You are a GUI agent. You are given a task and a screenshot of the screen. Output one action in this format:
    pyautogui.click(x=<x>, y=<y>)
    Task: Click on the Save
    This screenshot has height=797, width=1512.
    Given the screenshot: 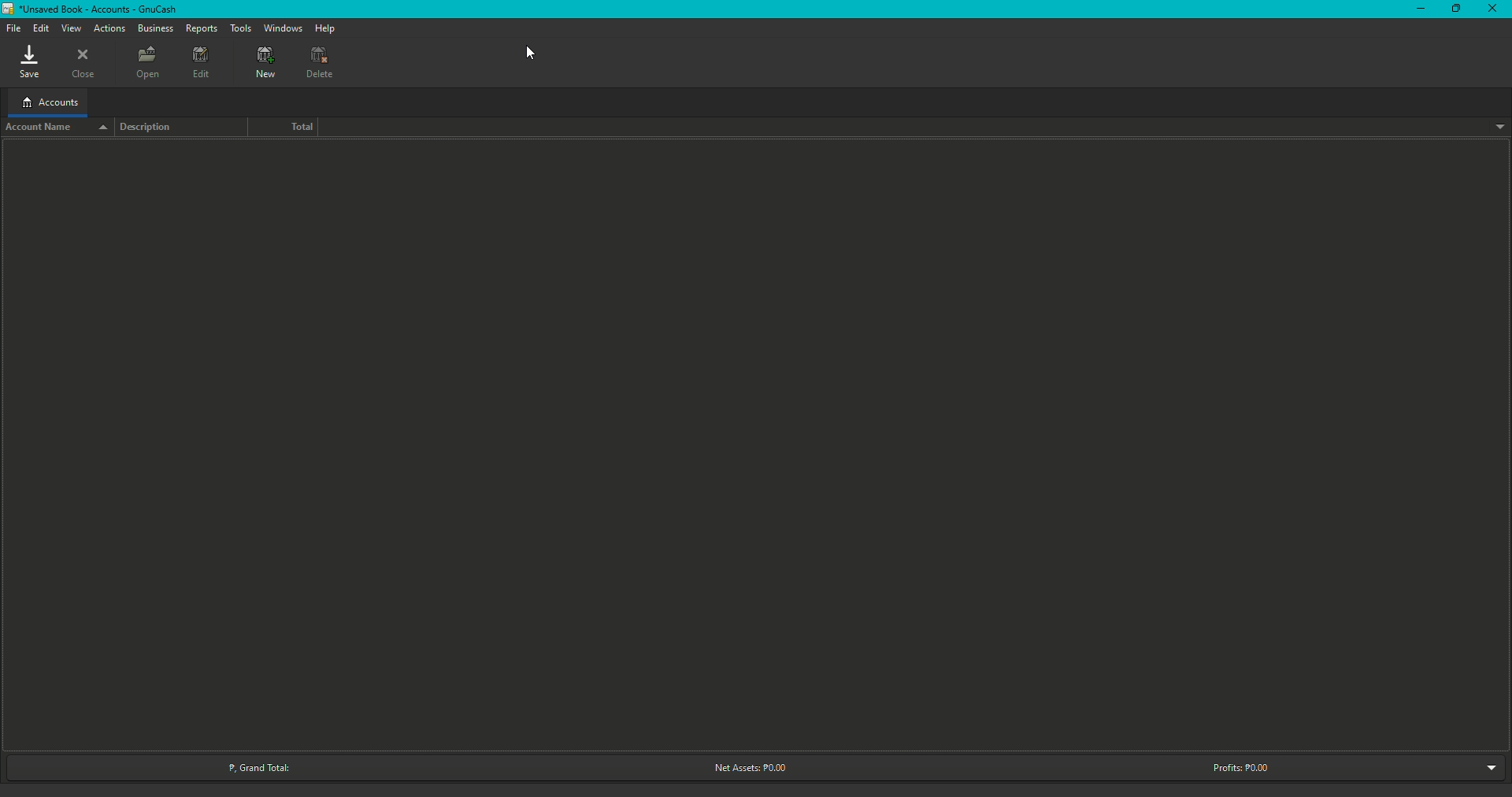 What is the action you would take?
    pyautogui.click(x=31, y=61)
    